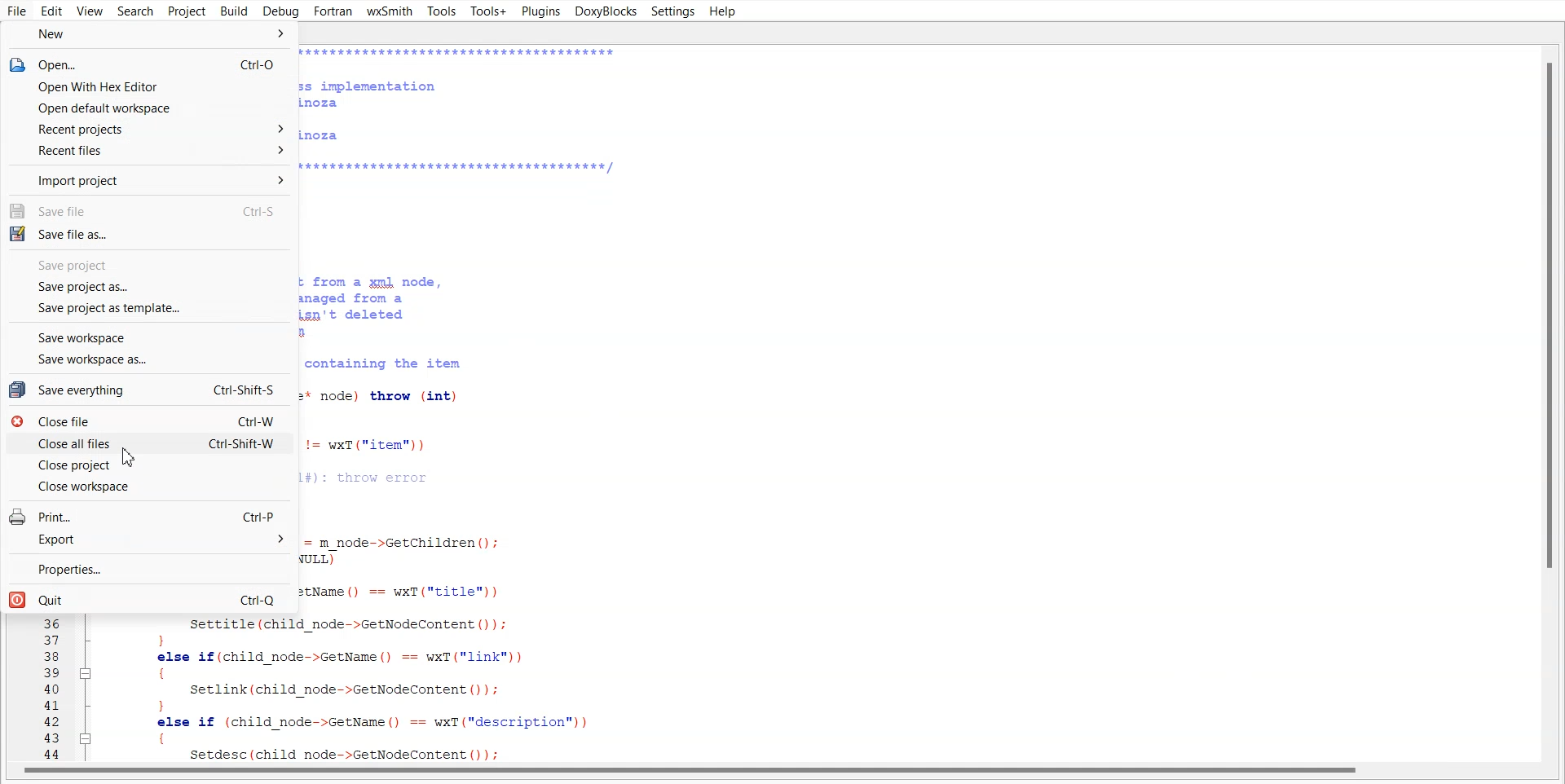 The width and height of the screenshot is (1565, 784). What do you see at coordinates (721, 11) in the screenshot?
I see `Help` at bounding box center [721, 11].